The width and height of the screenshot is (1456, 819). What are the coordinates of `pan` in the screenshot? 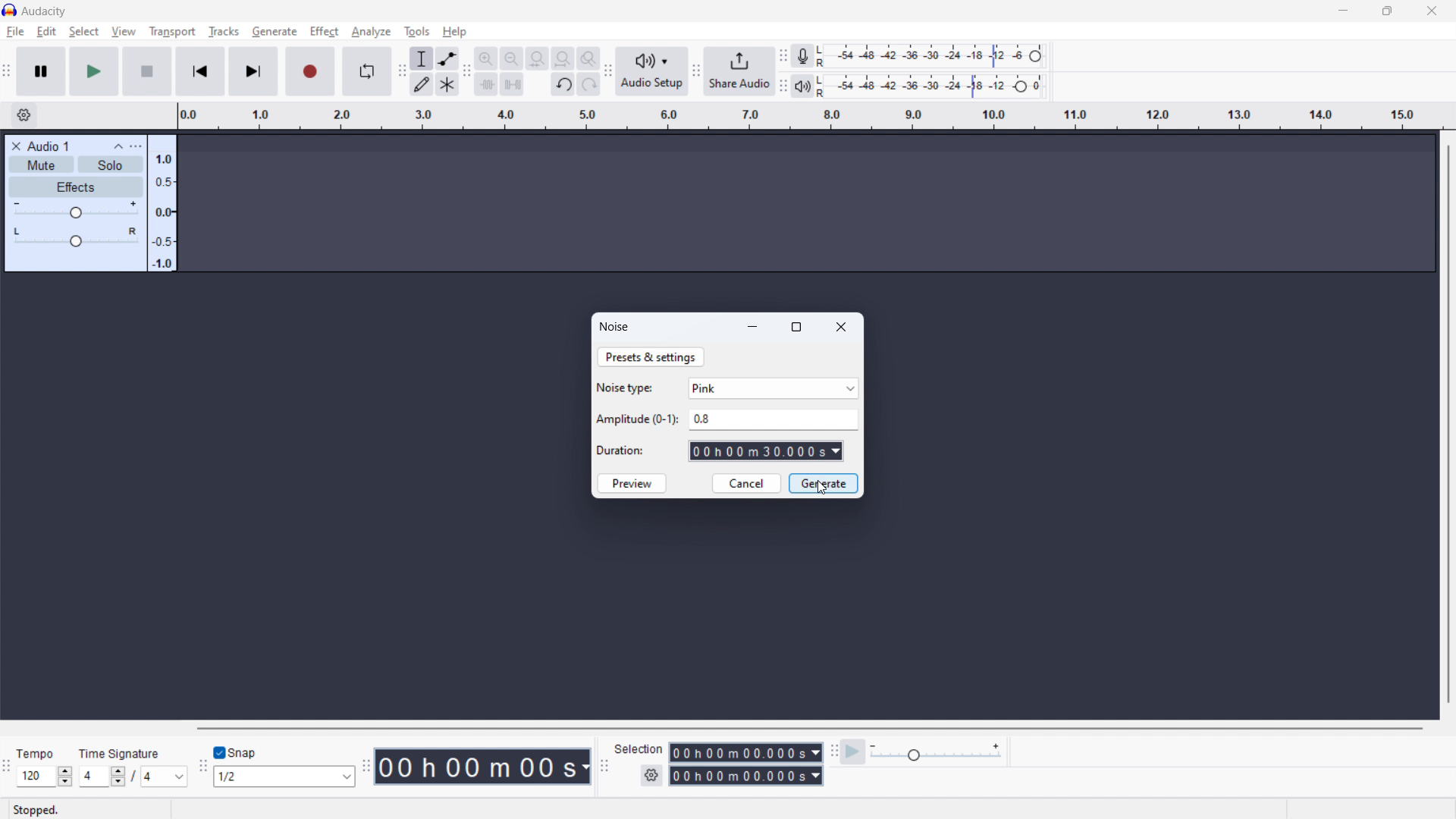 It's located at (75, 237).